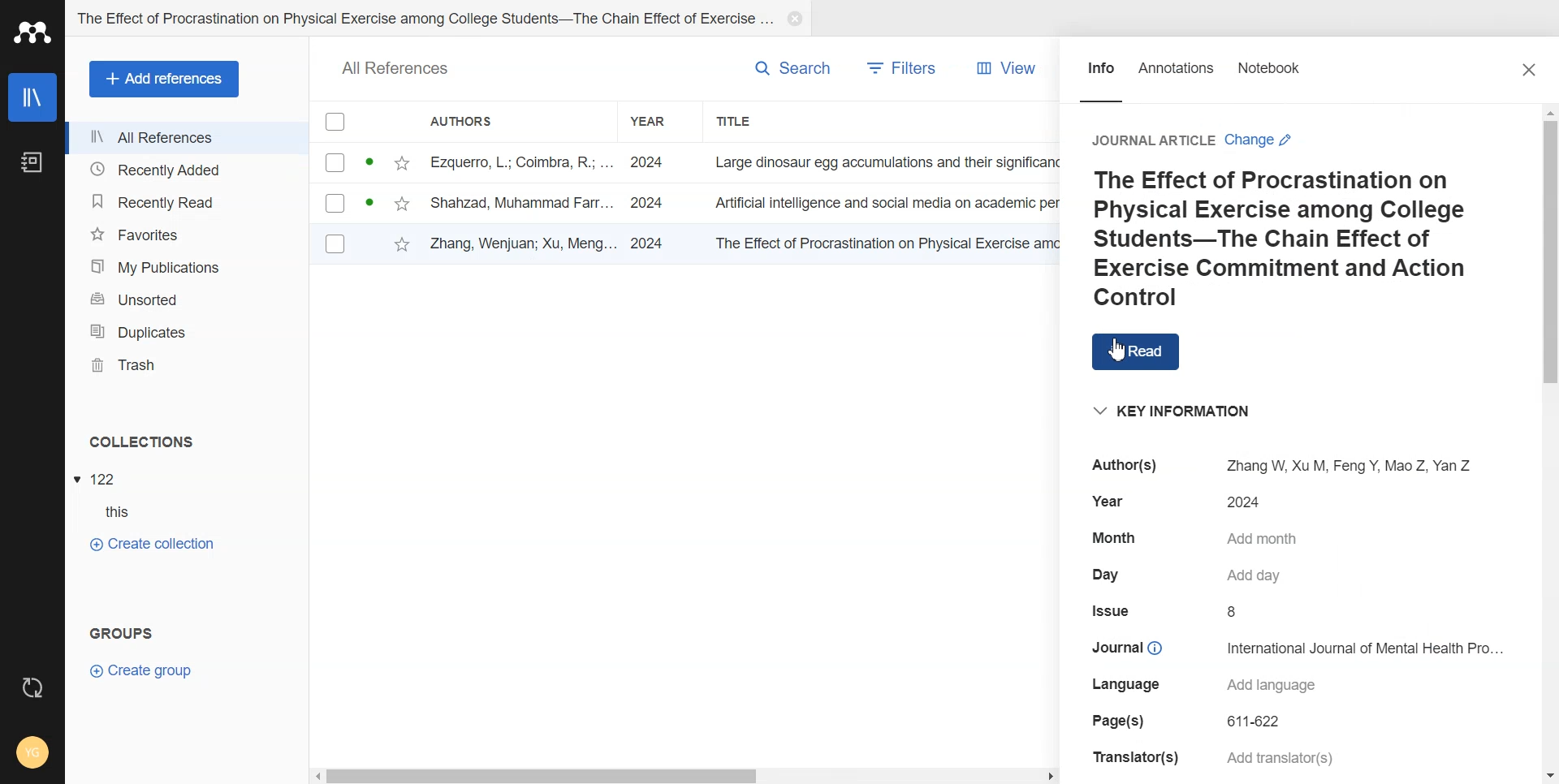 This screenshot has width=1559, height=784. Describe the element at coordinates (793, 67) in the screenshot. I see `Search` at that location.